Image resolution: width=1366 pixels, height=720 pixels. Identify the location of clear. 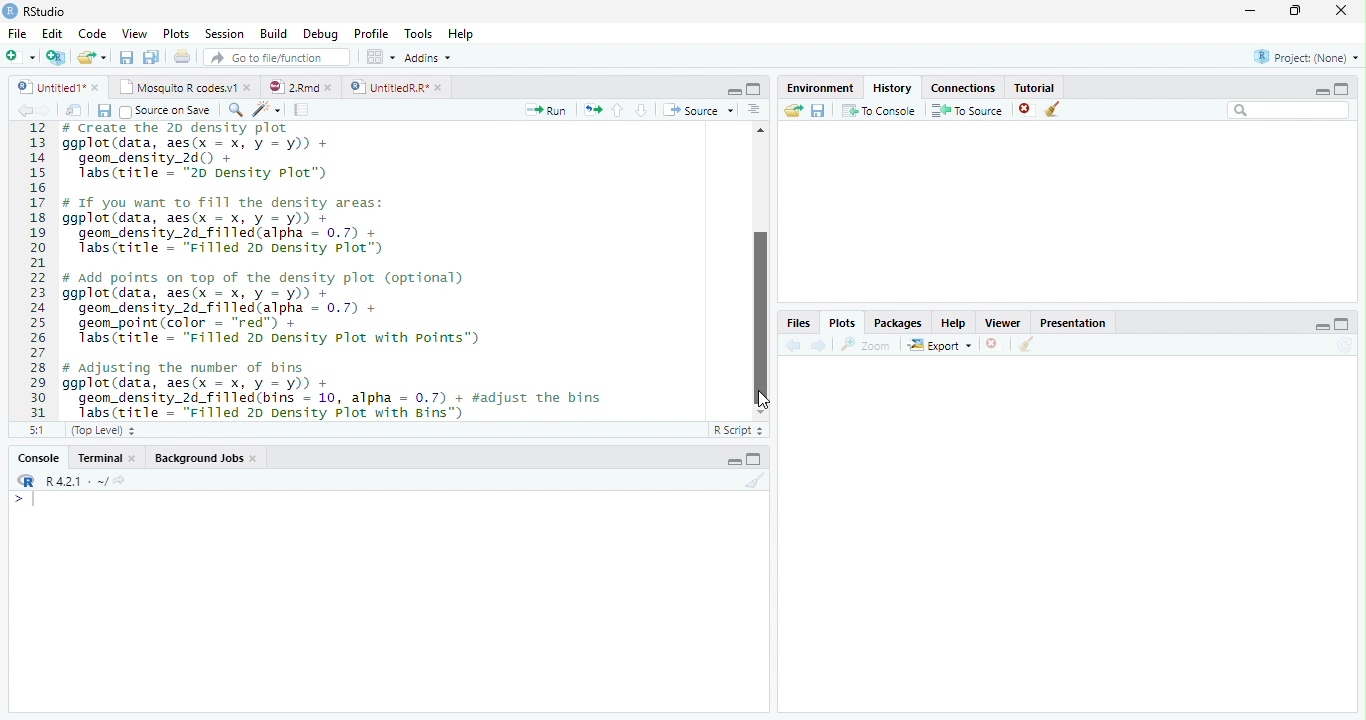
(1026, 346).